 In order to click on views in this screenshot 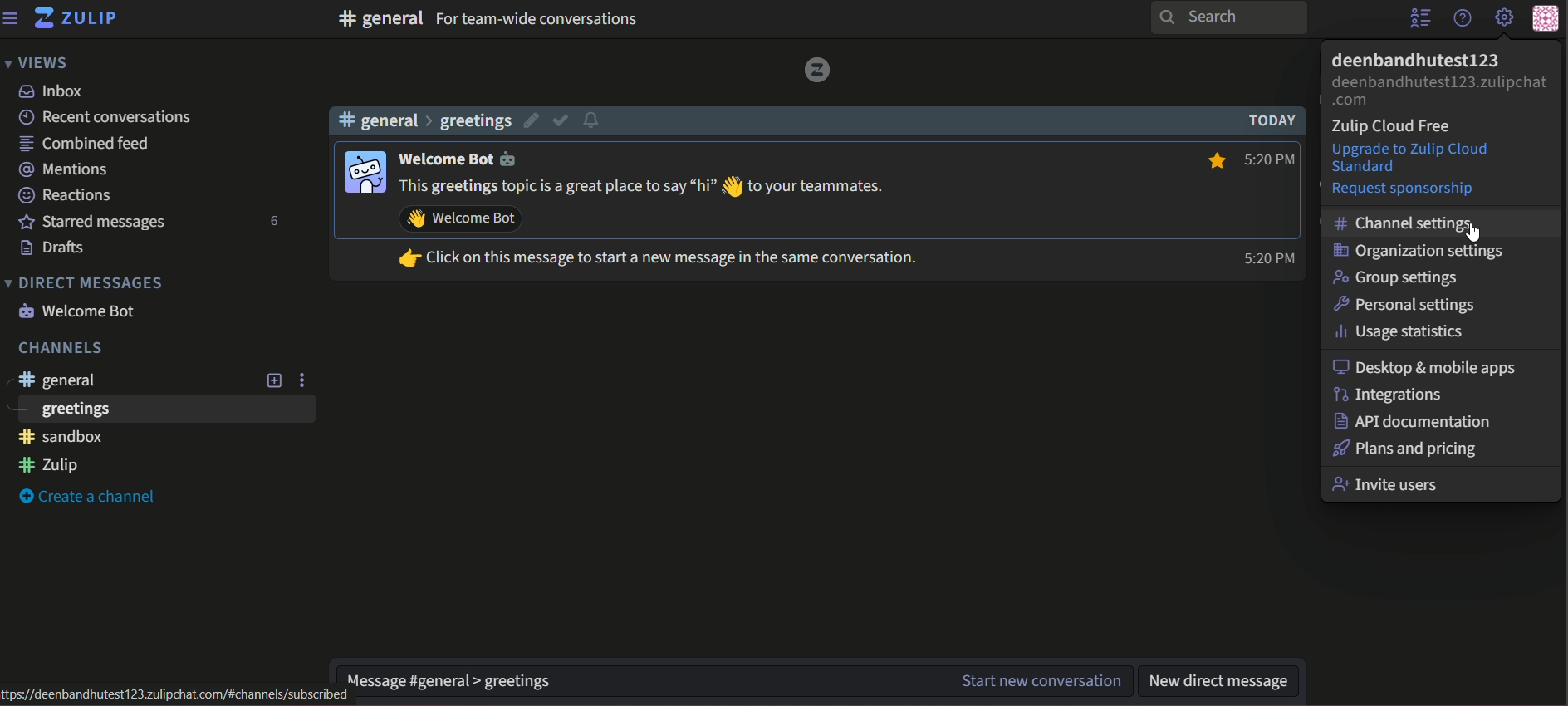, I will do `click(37, 61)`.